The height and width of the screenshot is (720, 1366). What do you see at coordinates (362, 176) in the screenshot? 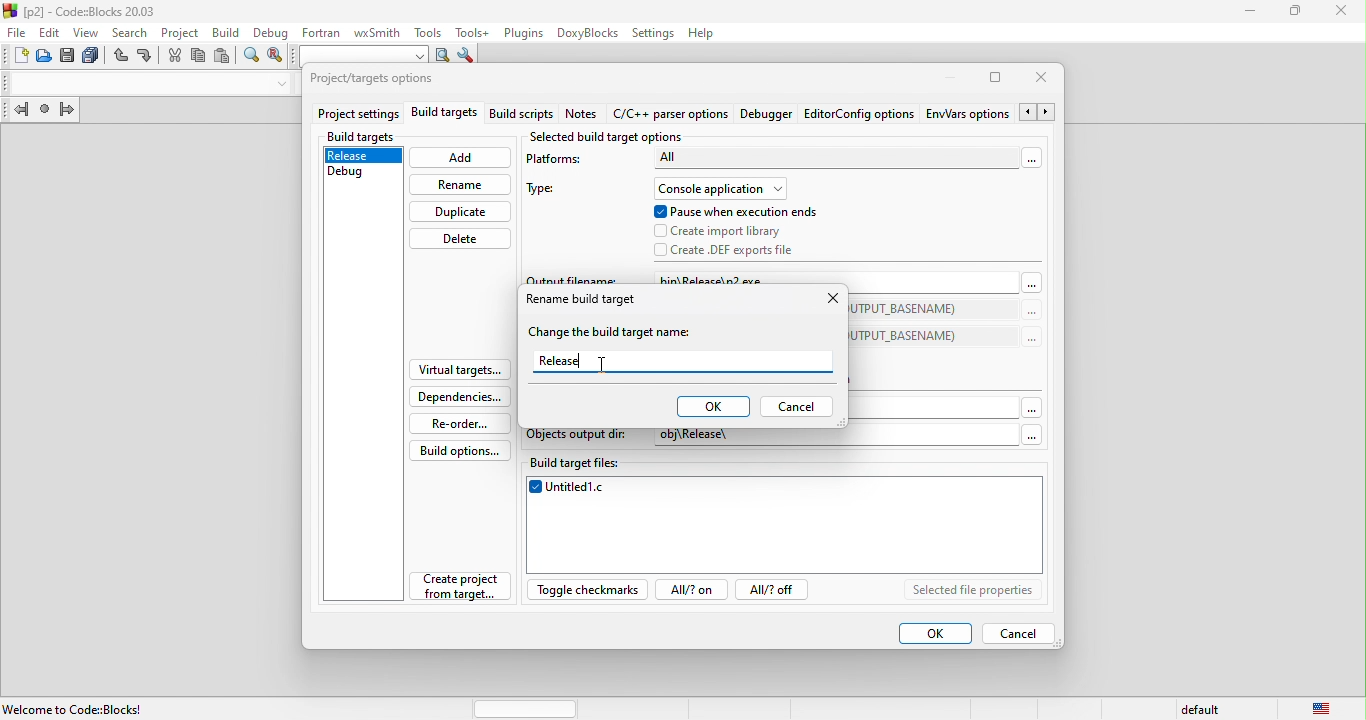
I see `debug` at bounding box center [362, 176].